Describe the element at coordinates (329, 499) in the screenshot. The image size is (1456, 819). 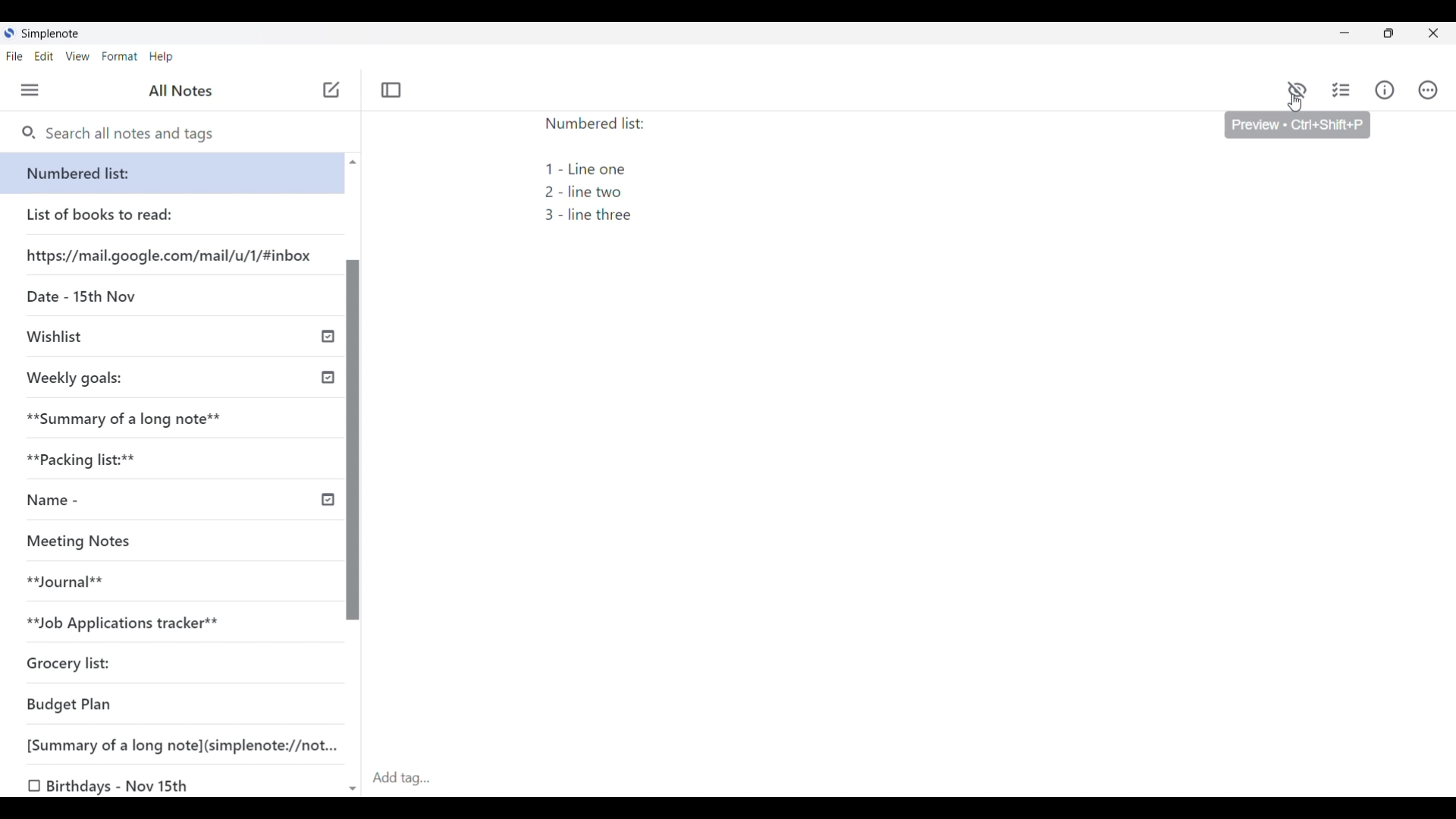
I see `timeline` at that location.